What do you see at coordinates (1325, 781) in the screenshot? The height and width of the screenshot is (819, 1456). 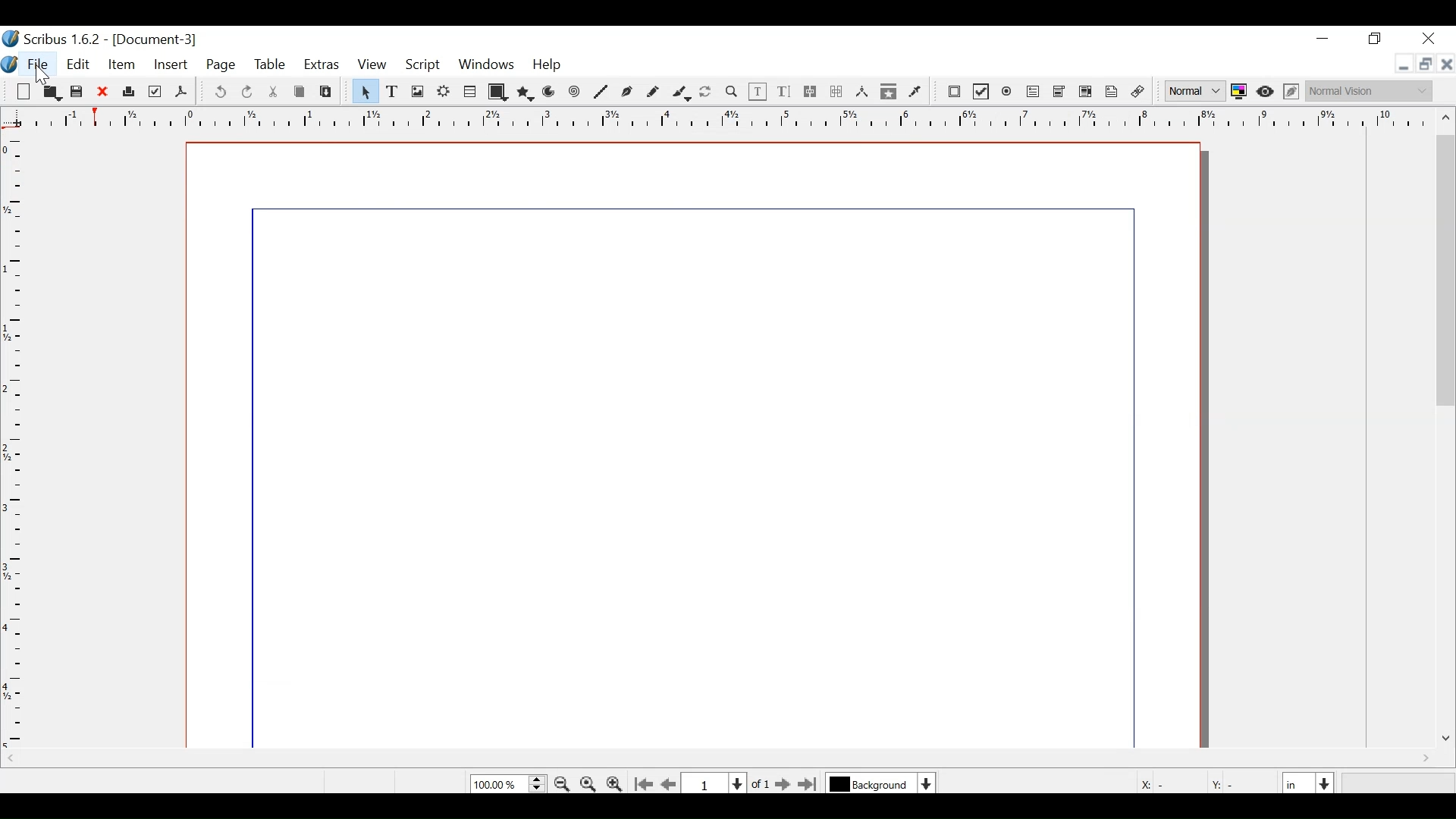 I see `` at bounding box center [1325, 781].